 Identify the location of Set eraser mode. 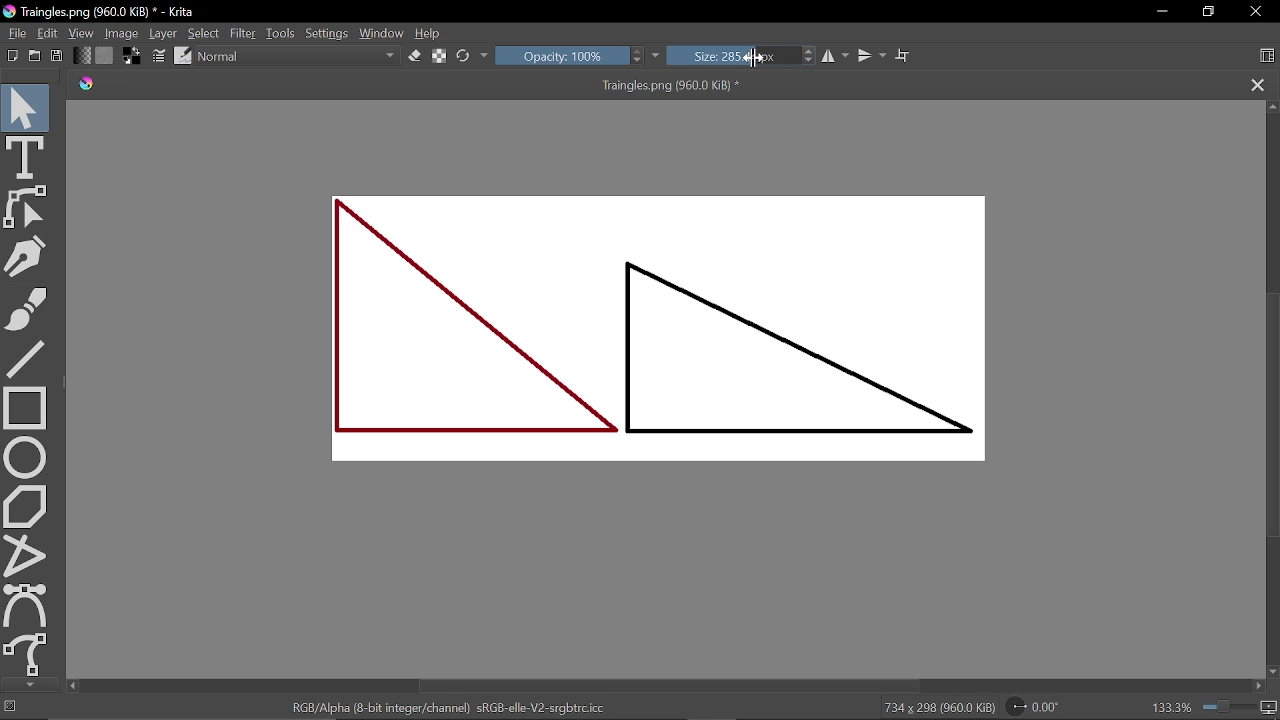
(414, 56).